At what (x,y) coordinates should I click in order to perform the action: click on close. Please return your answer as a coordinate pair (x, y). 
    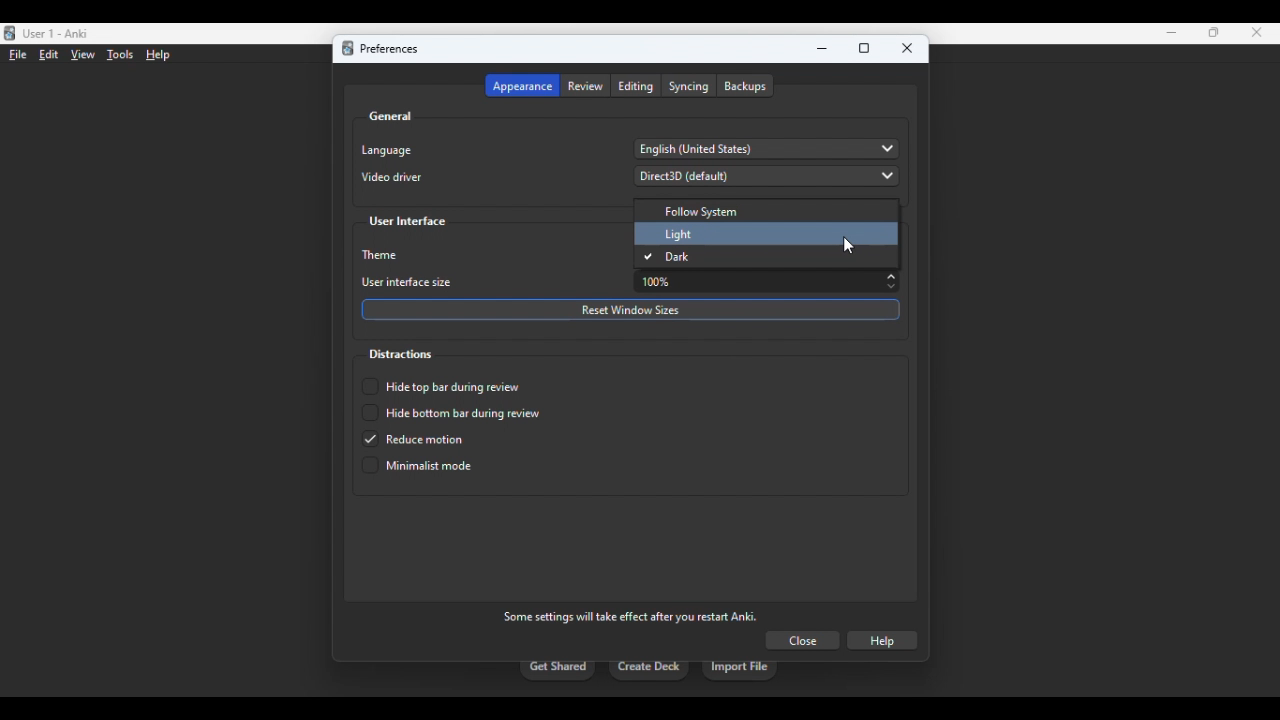
    Looking at the image, I should click on (908, 48).